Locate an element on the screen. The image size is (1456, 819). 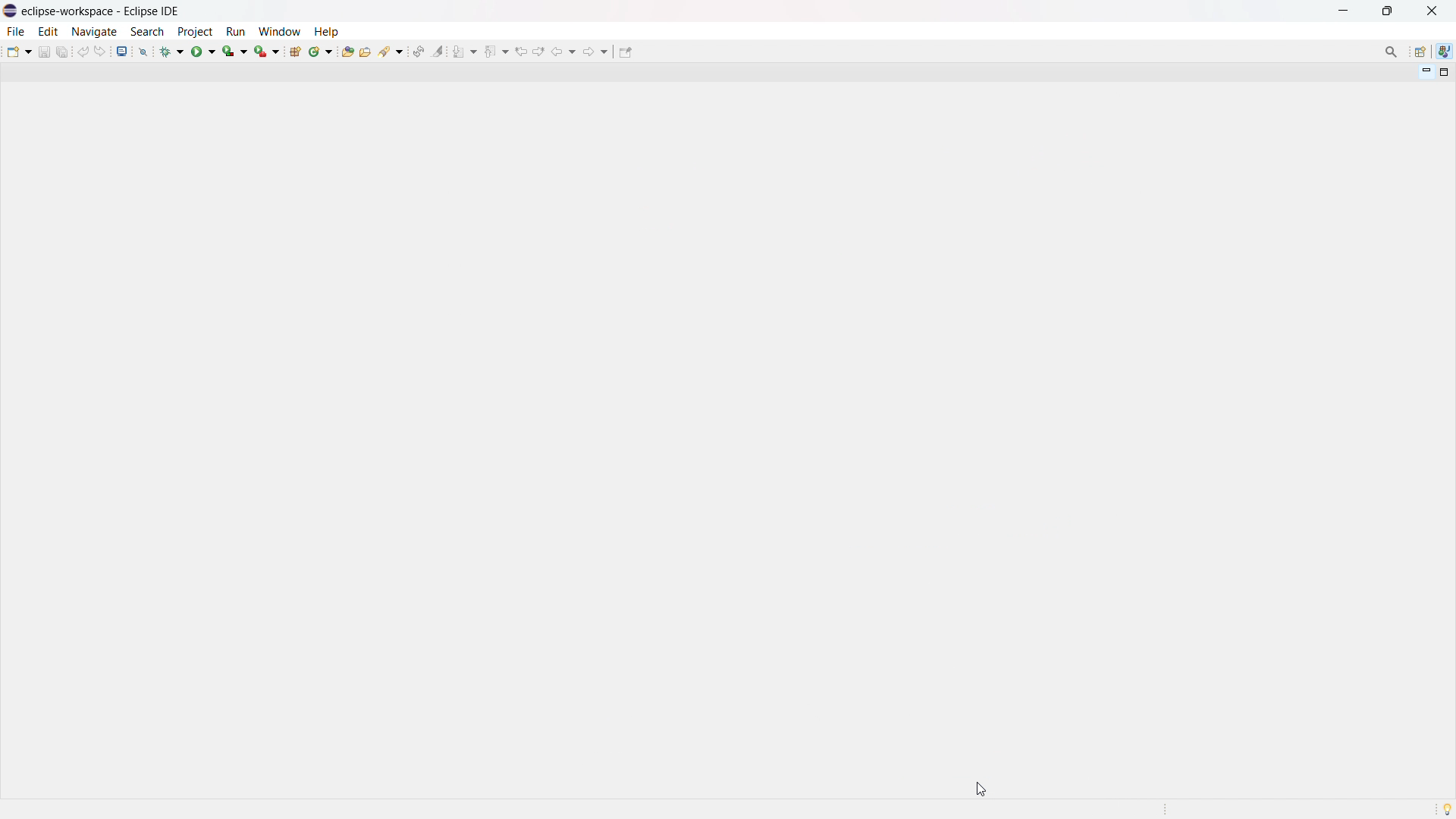
cursor is located at coordinates (980, 789).